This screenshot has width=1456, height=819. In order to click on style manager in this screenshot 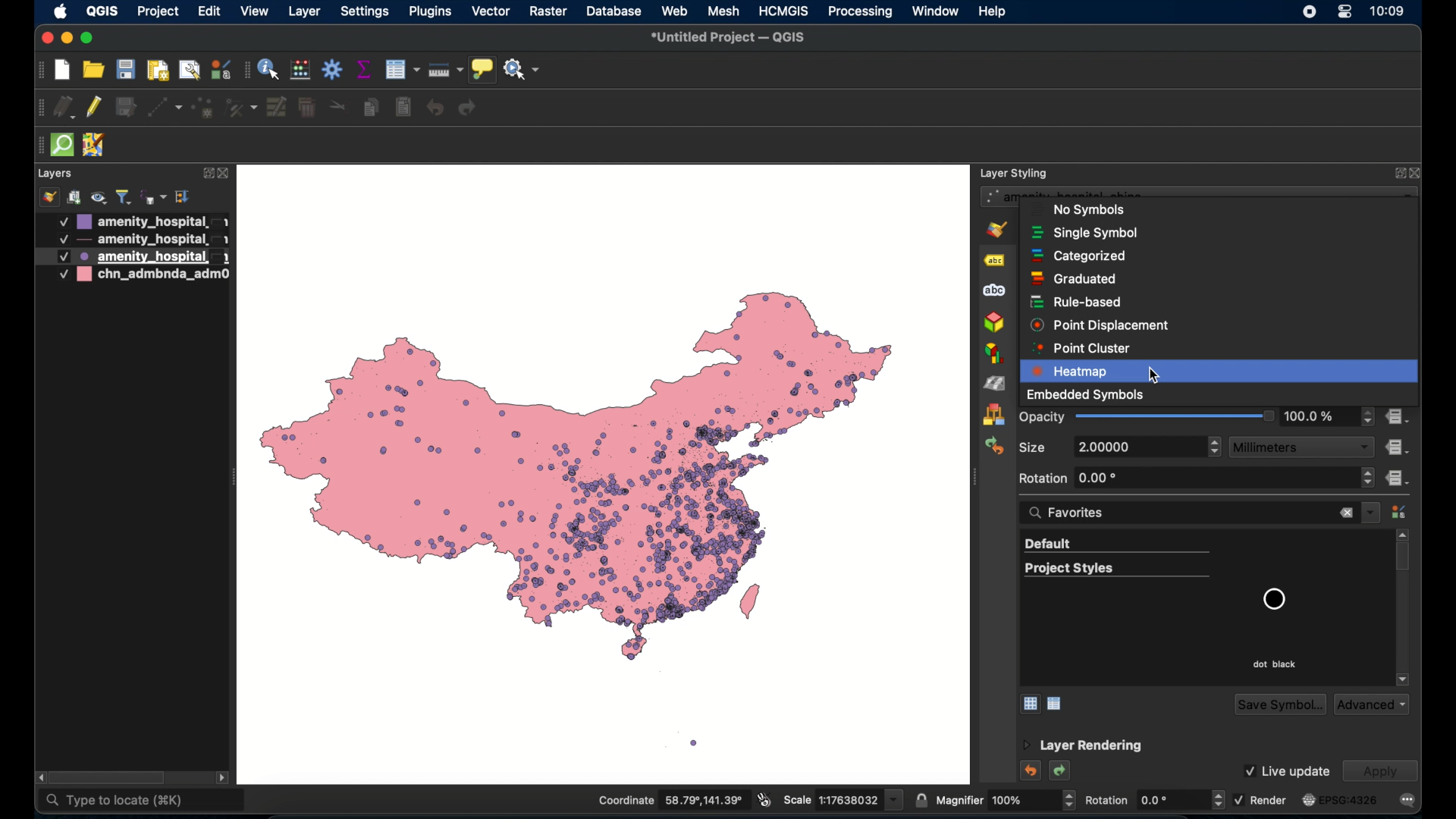, I will do `click(222, 69)`.